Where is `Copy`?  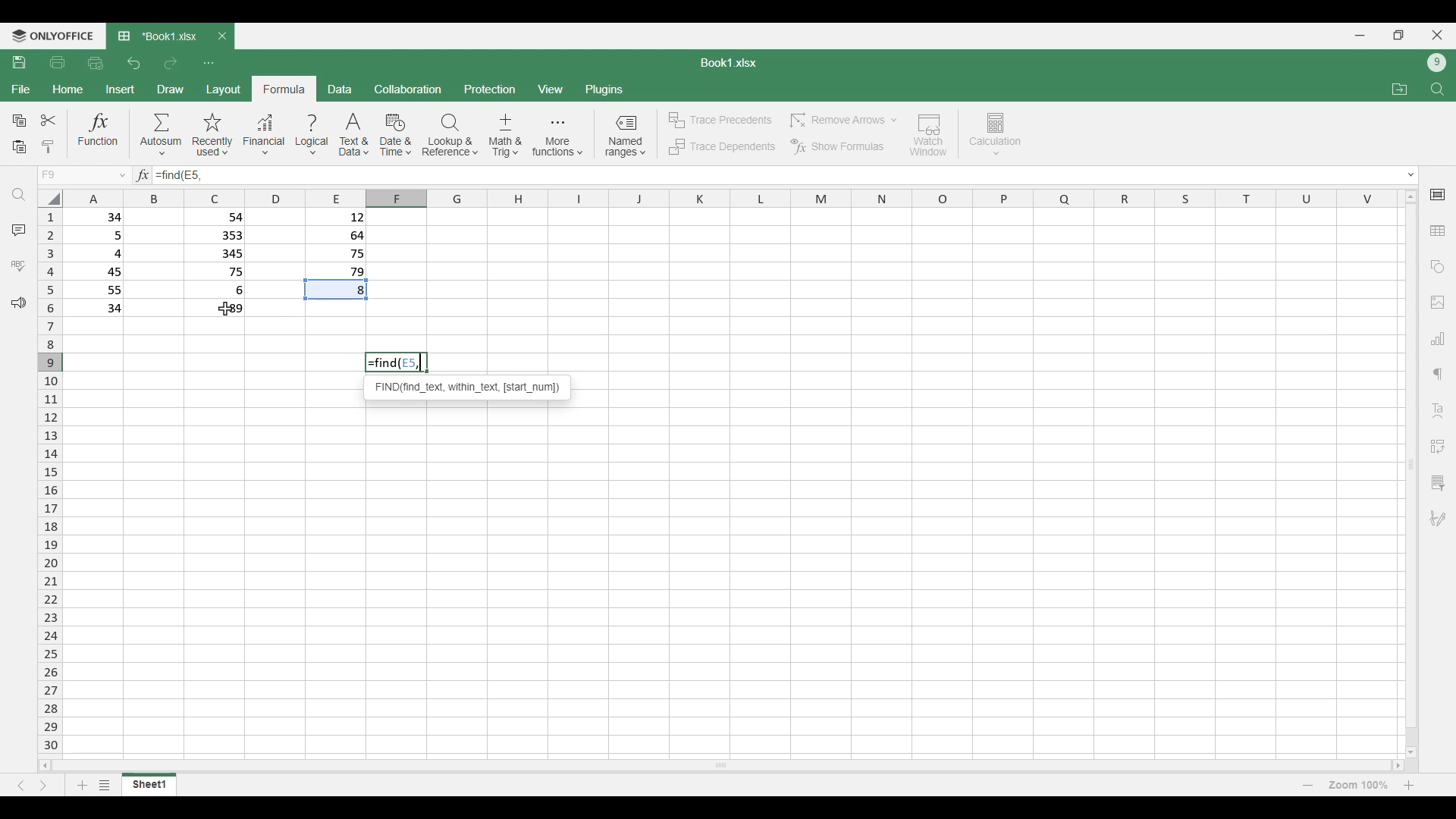 Copy is located at coordinates (18, 121).